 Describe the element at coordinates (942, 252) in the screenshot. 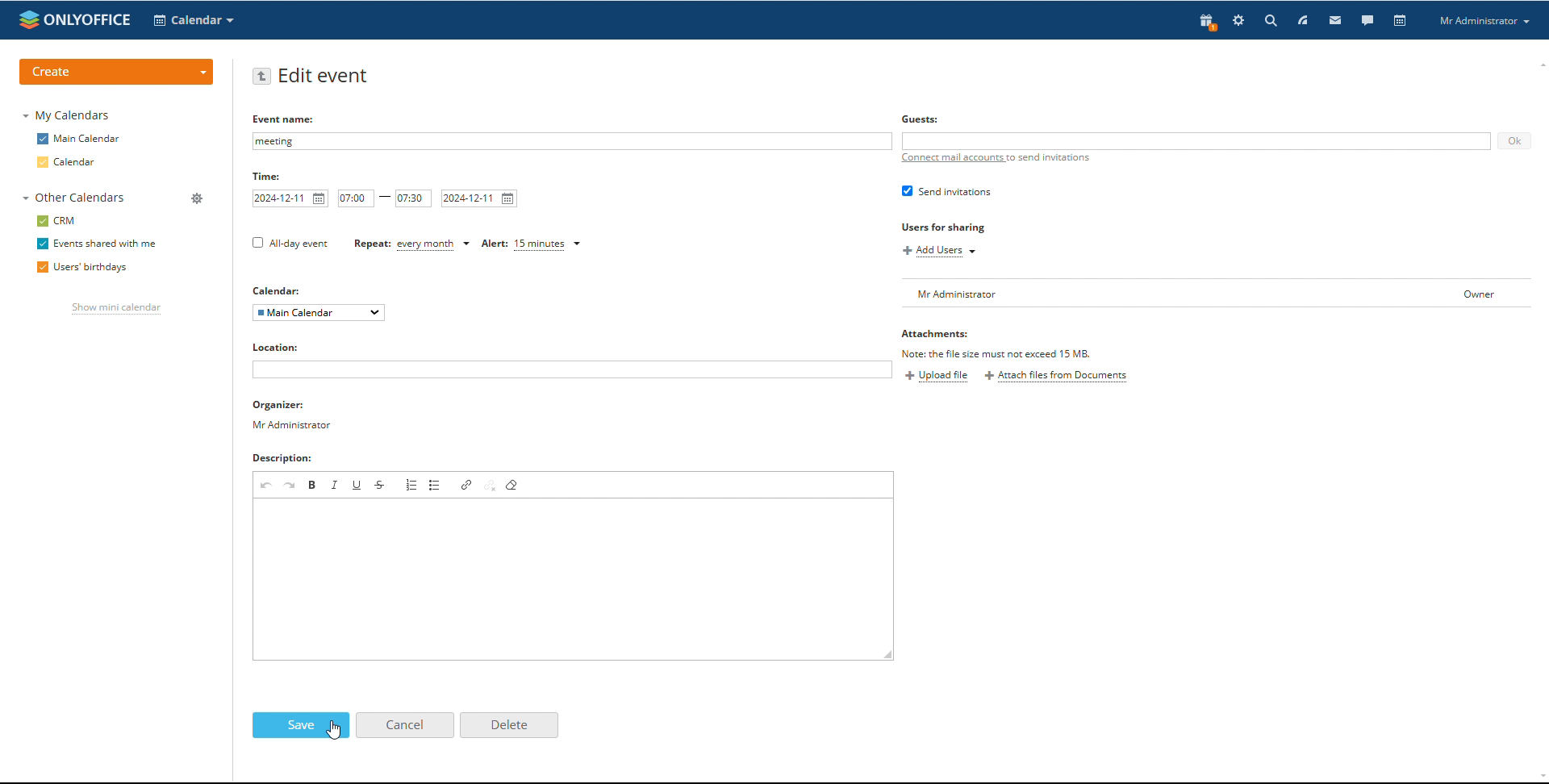

I see `add users` at that location.